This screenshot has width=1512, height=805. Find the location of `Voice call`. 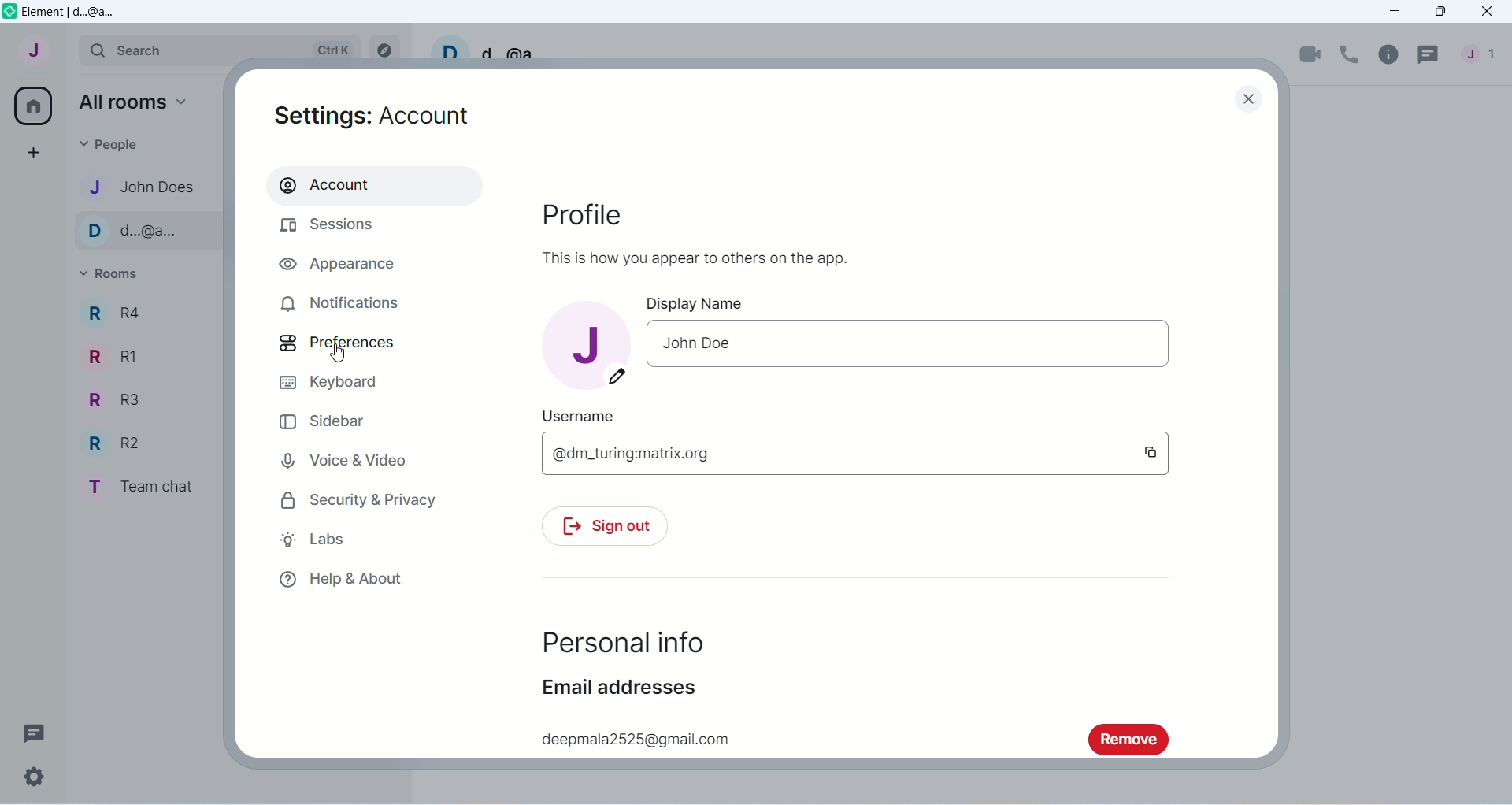

Voice call is located at coordinates (1350, 53).